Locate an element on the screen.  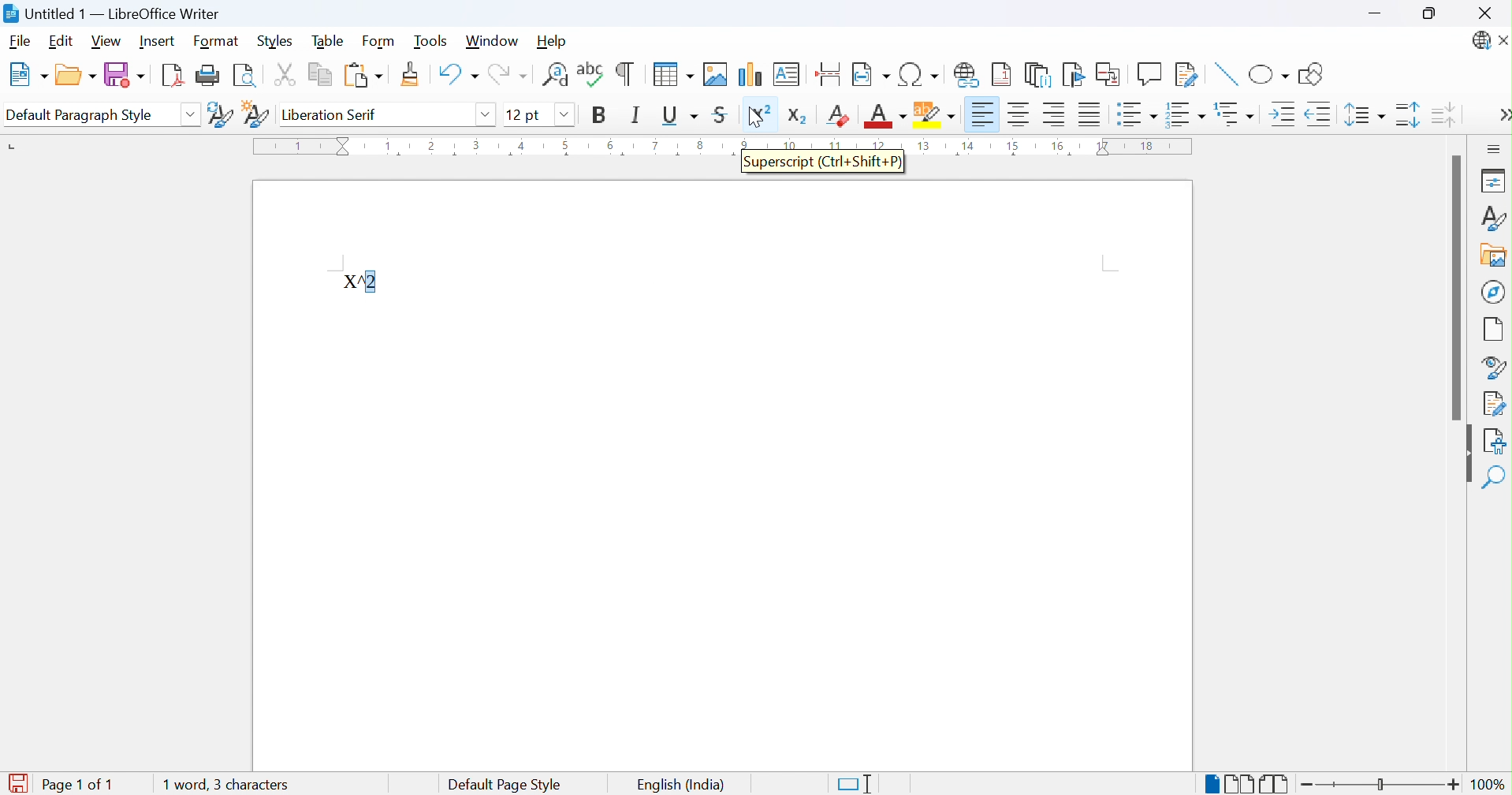
Standard selection. Click to change selection mode. is located at coordinates (858, 784).